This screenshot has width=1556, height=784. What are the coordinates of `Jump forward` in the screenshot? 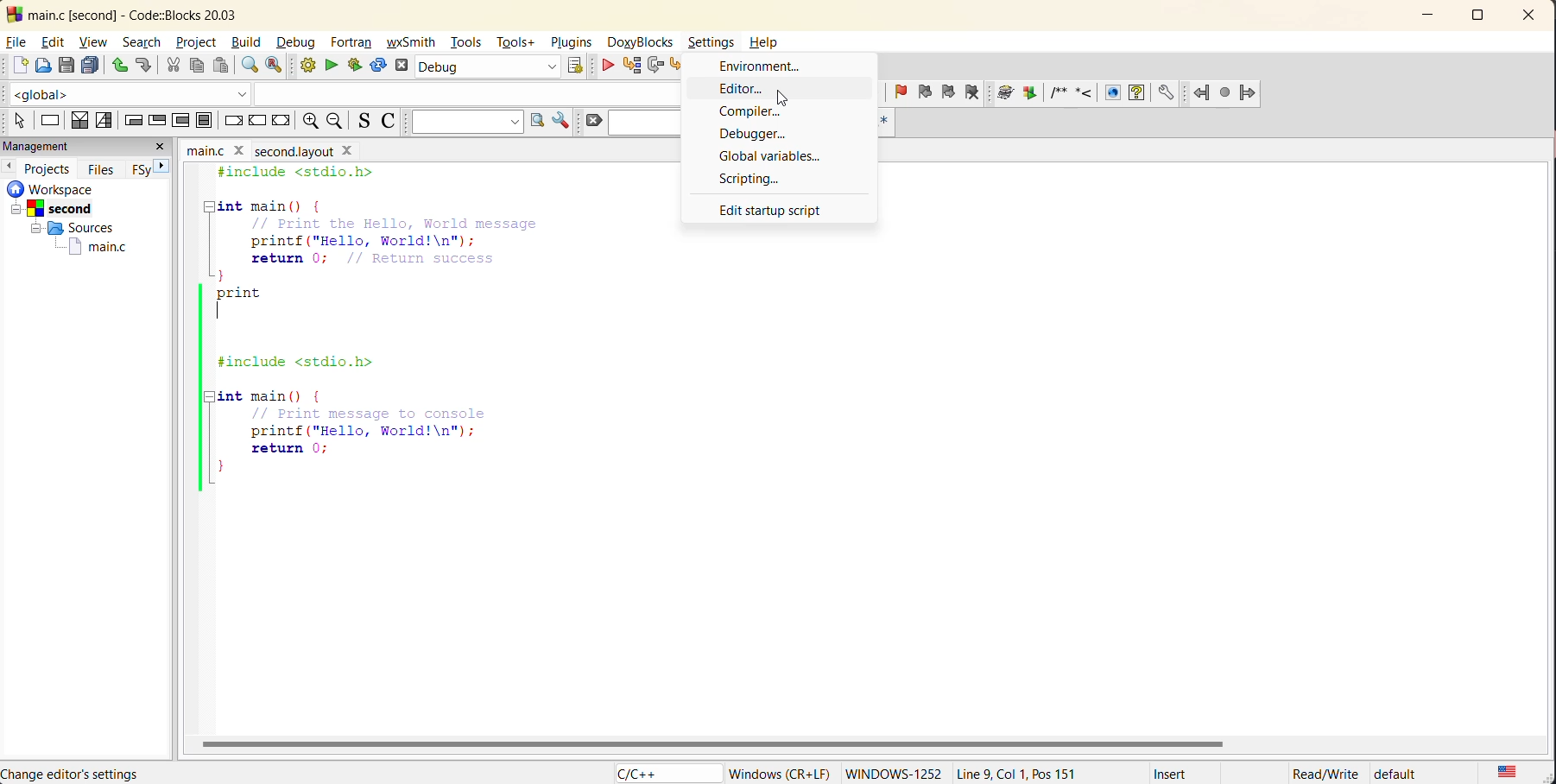 It's located at (1249, 91).